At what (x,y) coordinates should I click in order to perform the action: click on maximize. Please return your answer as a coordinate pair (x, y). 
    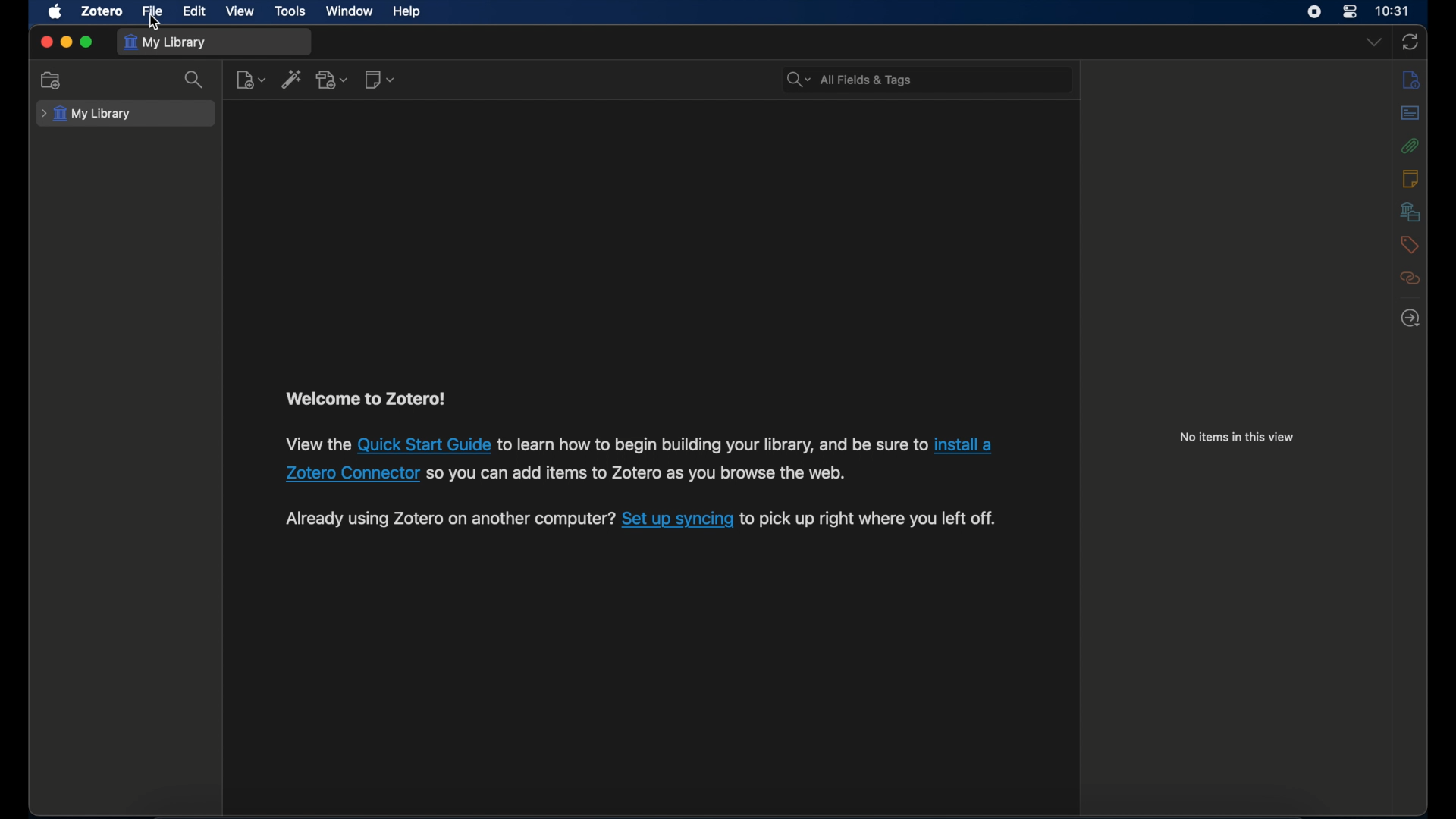
    Looking at the image, I should click on (87, 42).